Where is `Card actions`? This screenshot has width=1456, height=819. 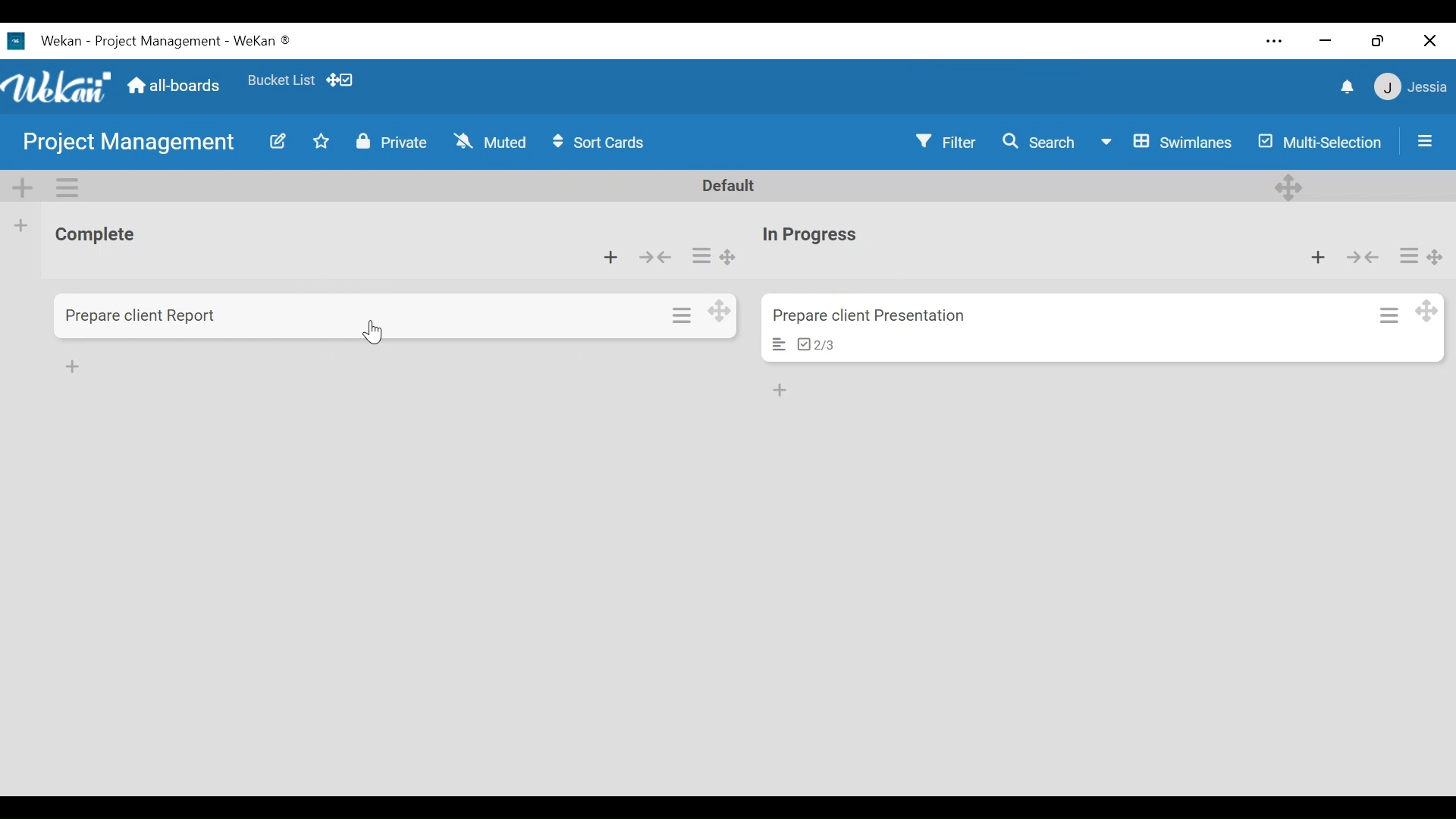 Card actions is located at coordinates (683, 314).